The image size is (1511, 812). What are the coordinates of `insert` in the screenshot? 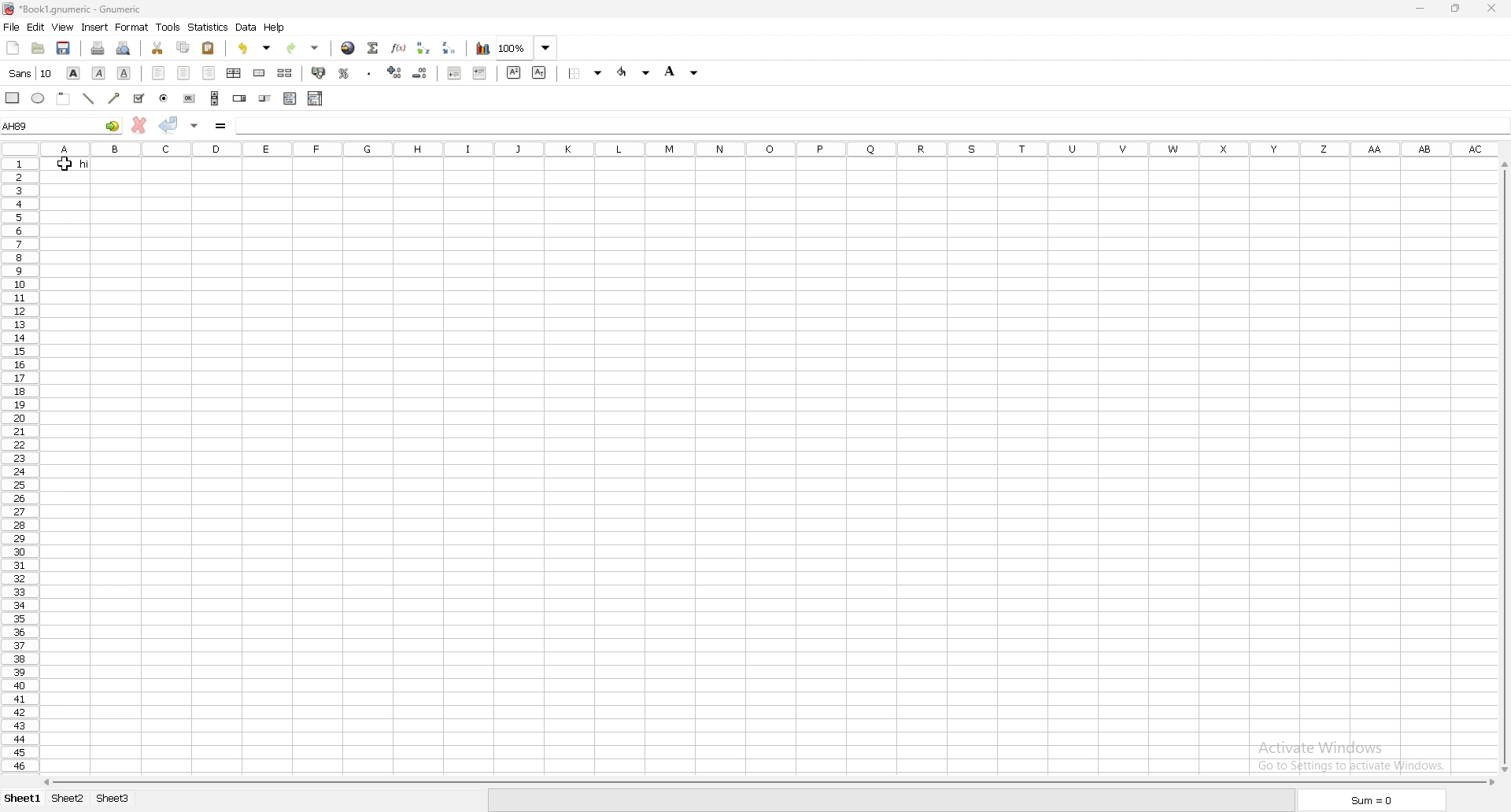 It's located at (94, 28).